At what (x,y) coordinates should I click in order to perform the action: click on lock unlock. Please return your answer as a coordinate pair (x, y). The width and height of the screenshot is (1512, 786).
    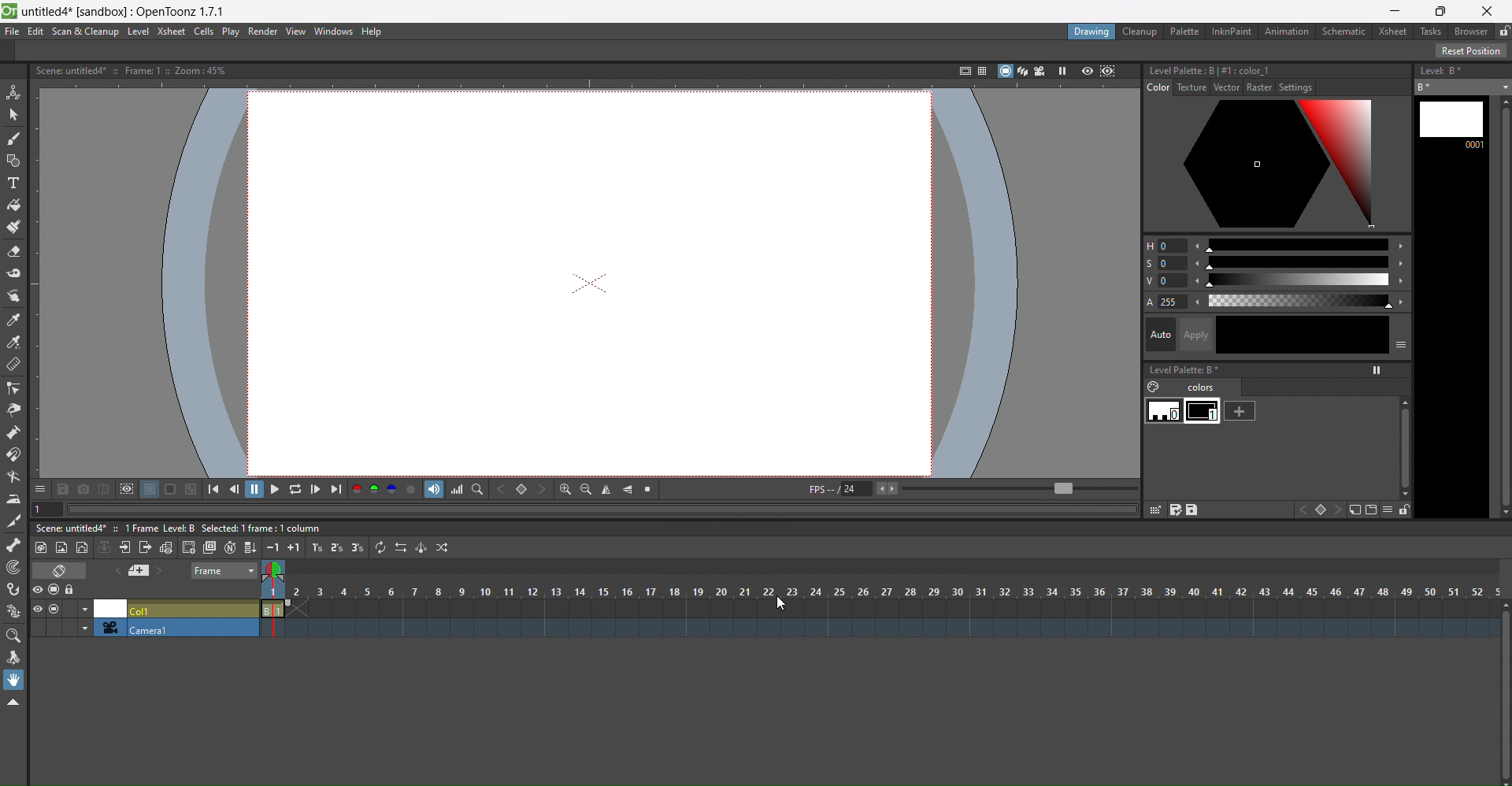
    Looking at the image, I should click on (1503, 32).